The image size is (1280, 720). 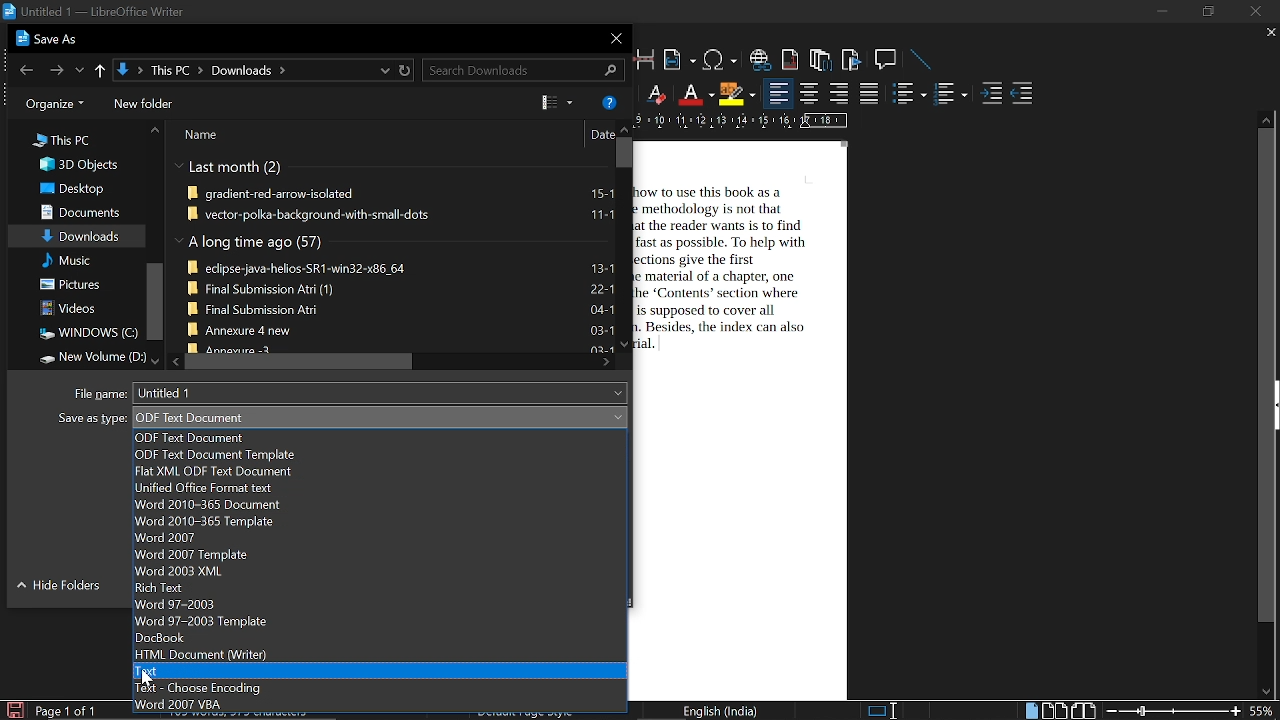 What do you see at coordinates (400, 308) in the screenshot?
I see `Final Submission Atri 04-1` at bounding box center [400, 308].